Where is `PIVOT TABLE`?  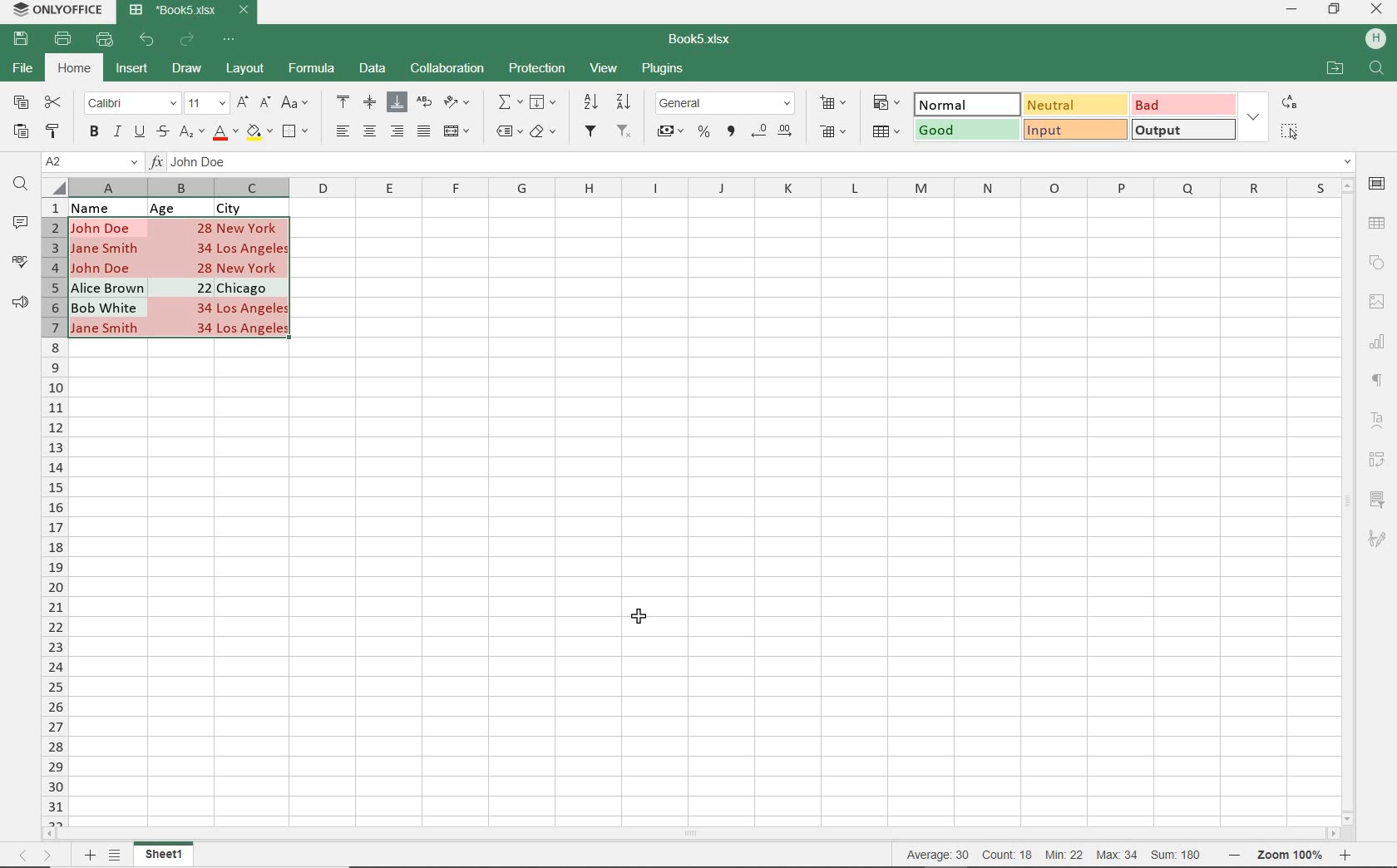 PIVOT TABLE is located at coordinates (1379, 460).